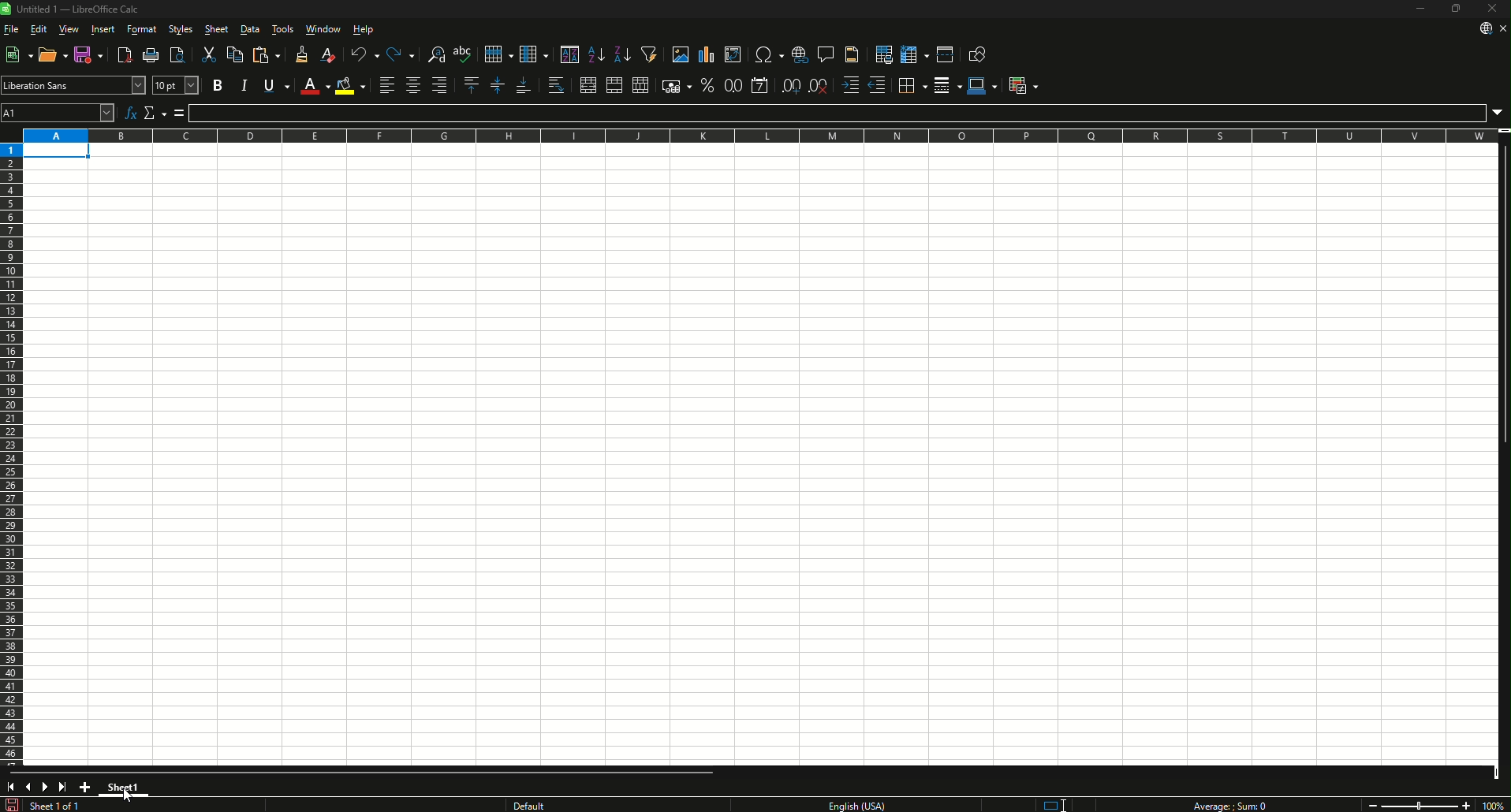 This screenshot has width=1511, height=812. What do you see at coordinates (597, 54) in the screenshot?
I see `Sort Ascending` at bounding box center [597, 54].